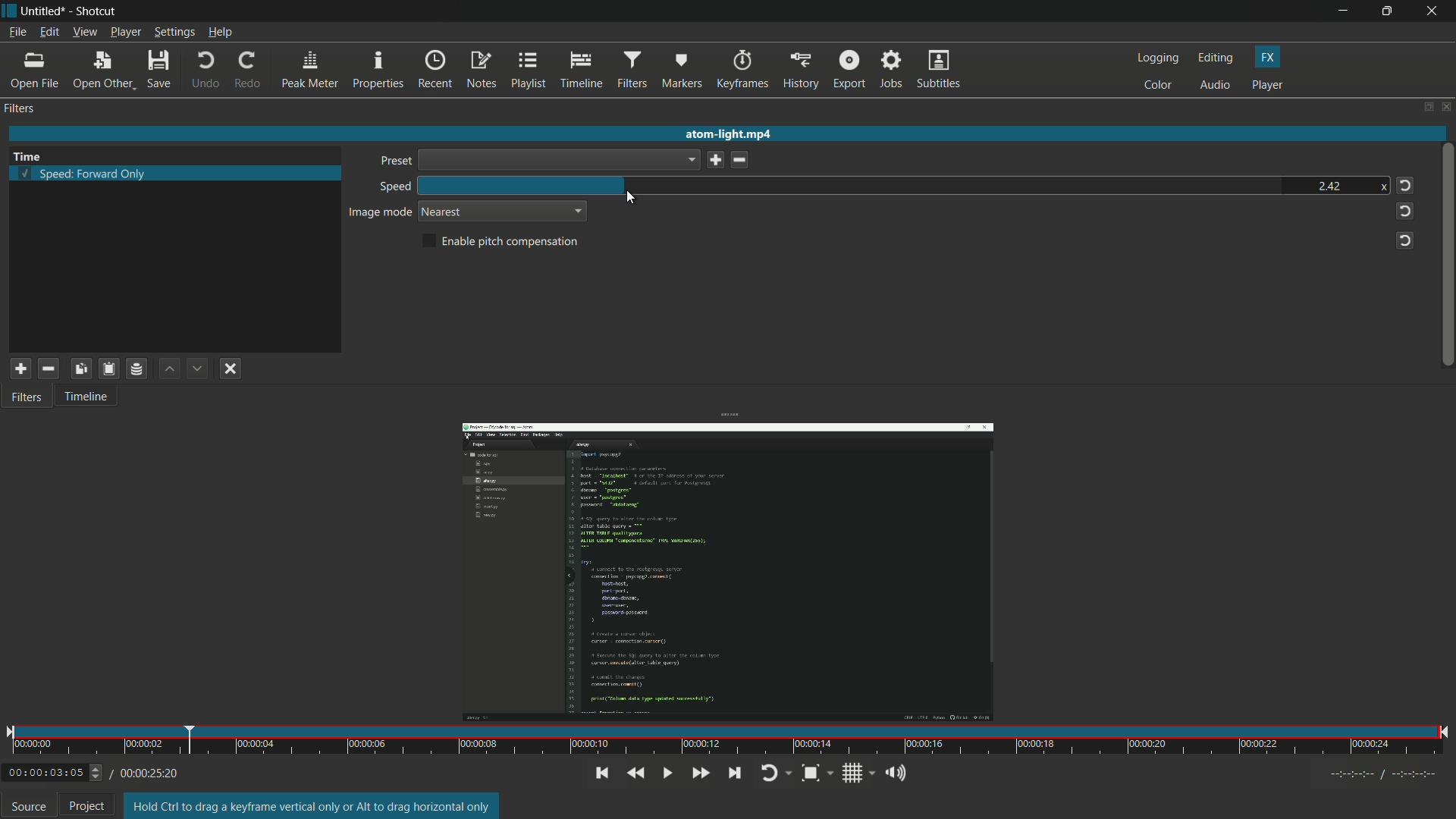 The height and width of the screenshot is (819, 1456). What do you see at coordinates (581, 71) in the screenshot?
I see `timeline` at bounding box center [581, 71].